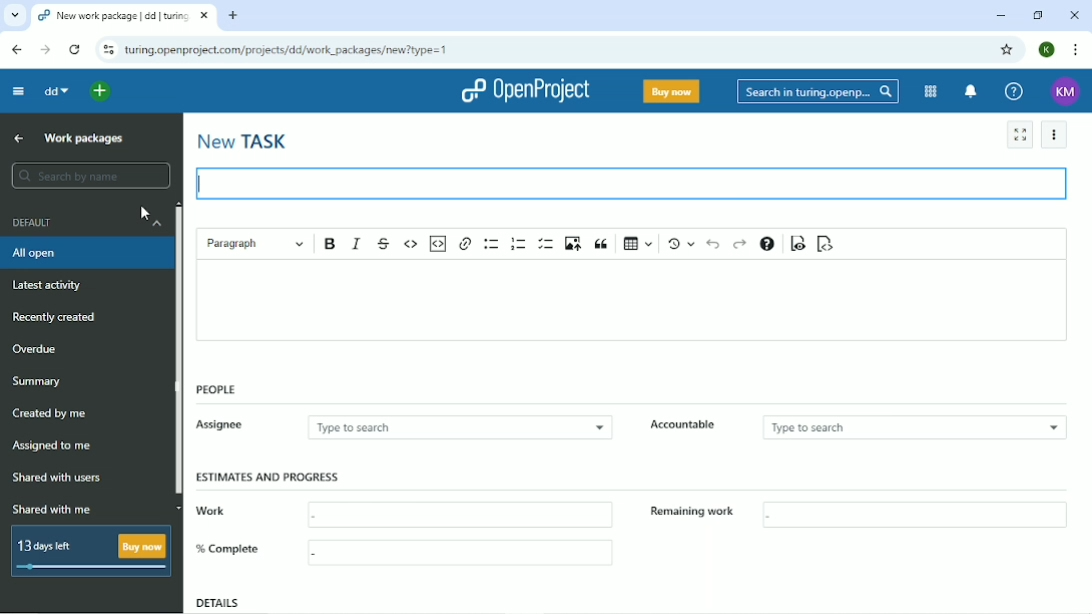 This screenshot has height=614, width=1092. What do you see at coordinates (14, 13) in the screenshot?
I see `list of tabs` at bounding box center [14, 13].